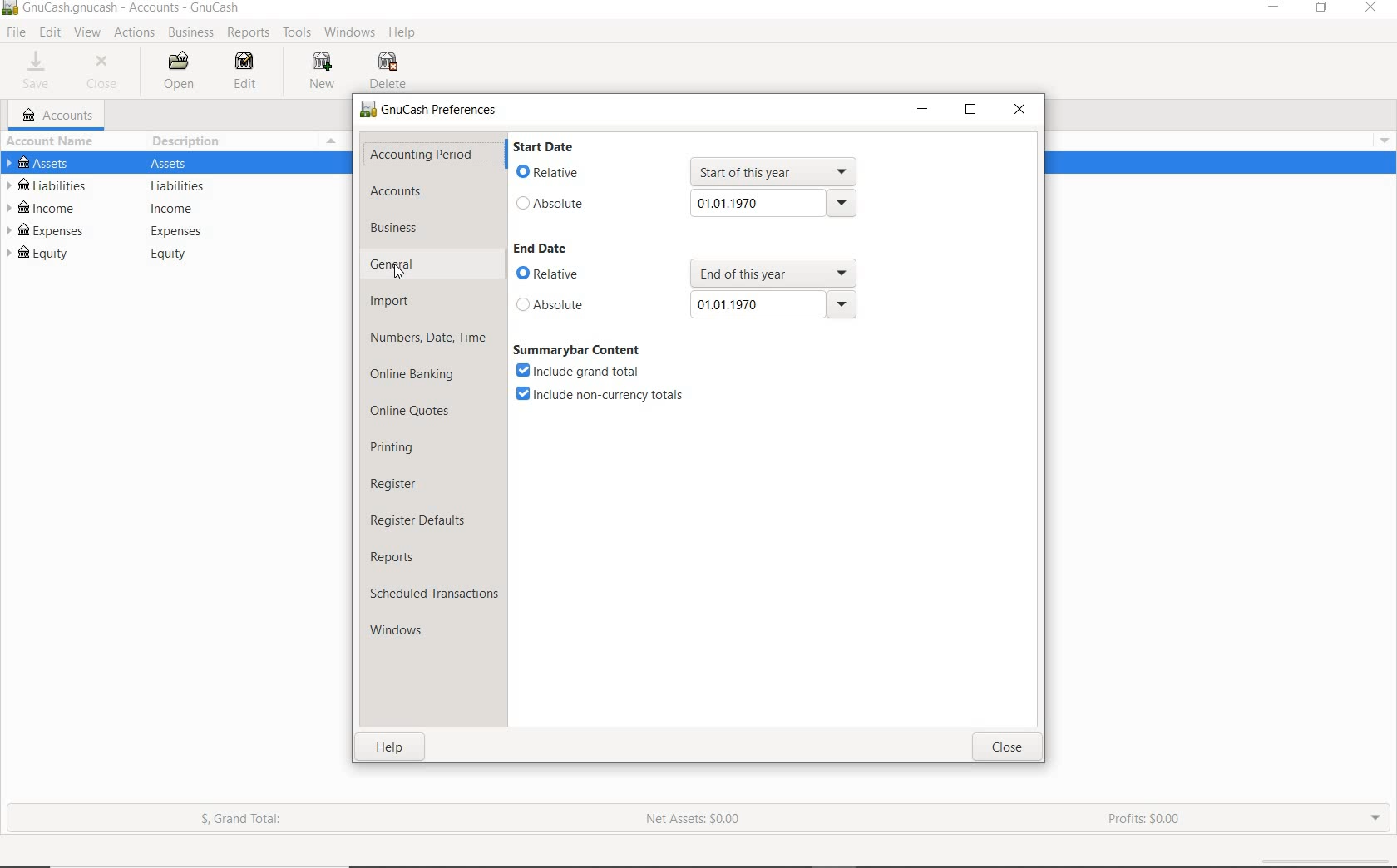  I want to click on GENERAL, so click(407, 265).